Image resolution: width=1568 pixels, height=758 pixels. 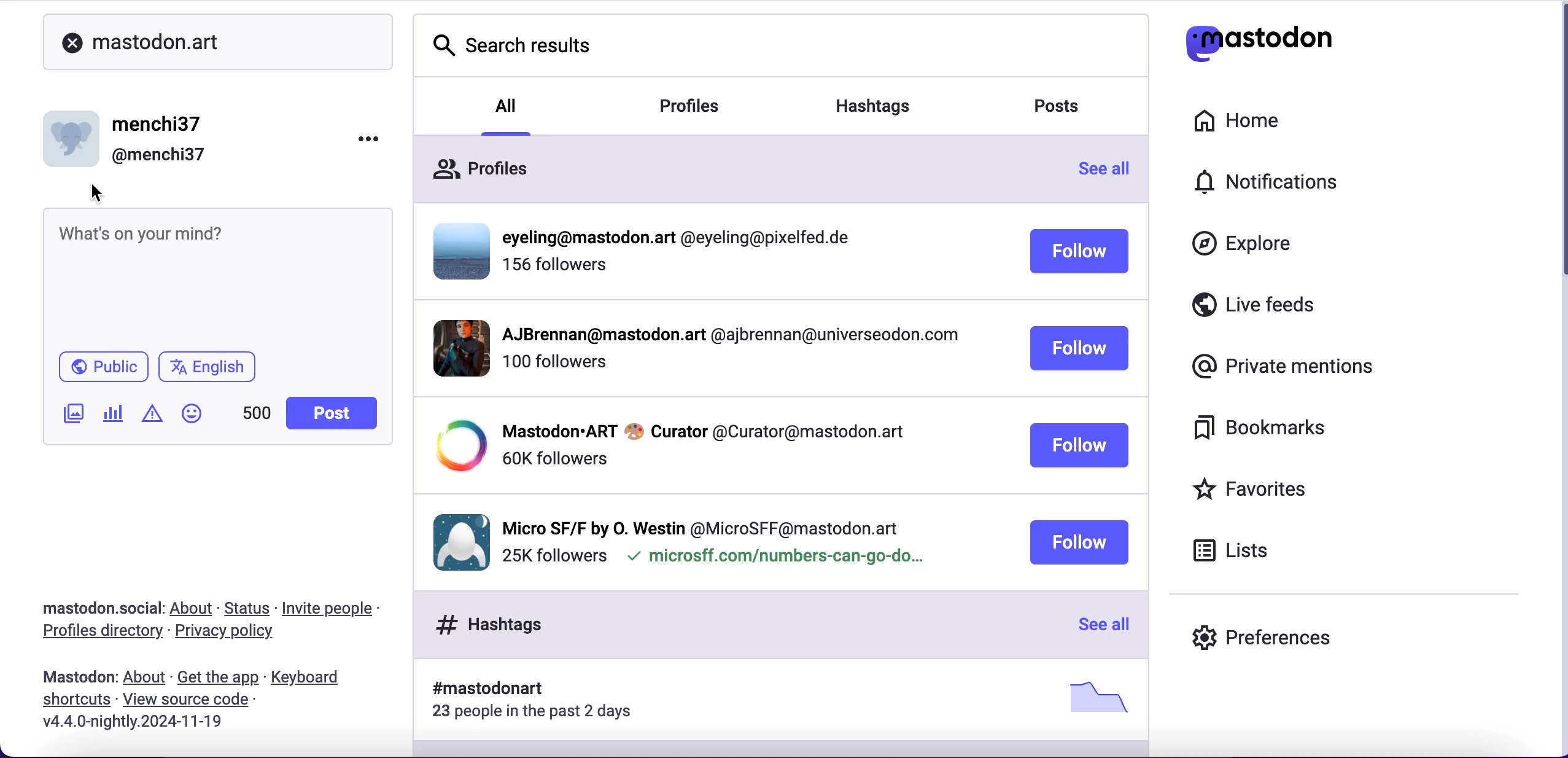 What do you see at coordinates (77, 679) in the screenshot?
I see `mastodon` at bounding box center [77, 679].